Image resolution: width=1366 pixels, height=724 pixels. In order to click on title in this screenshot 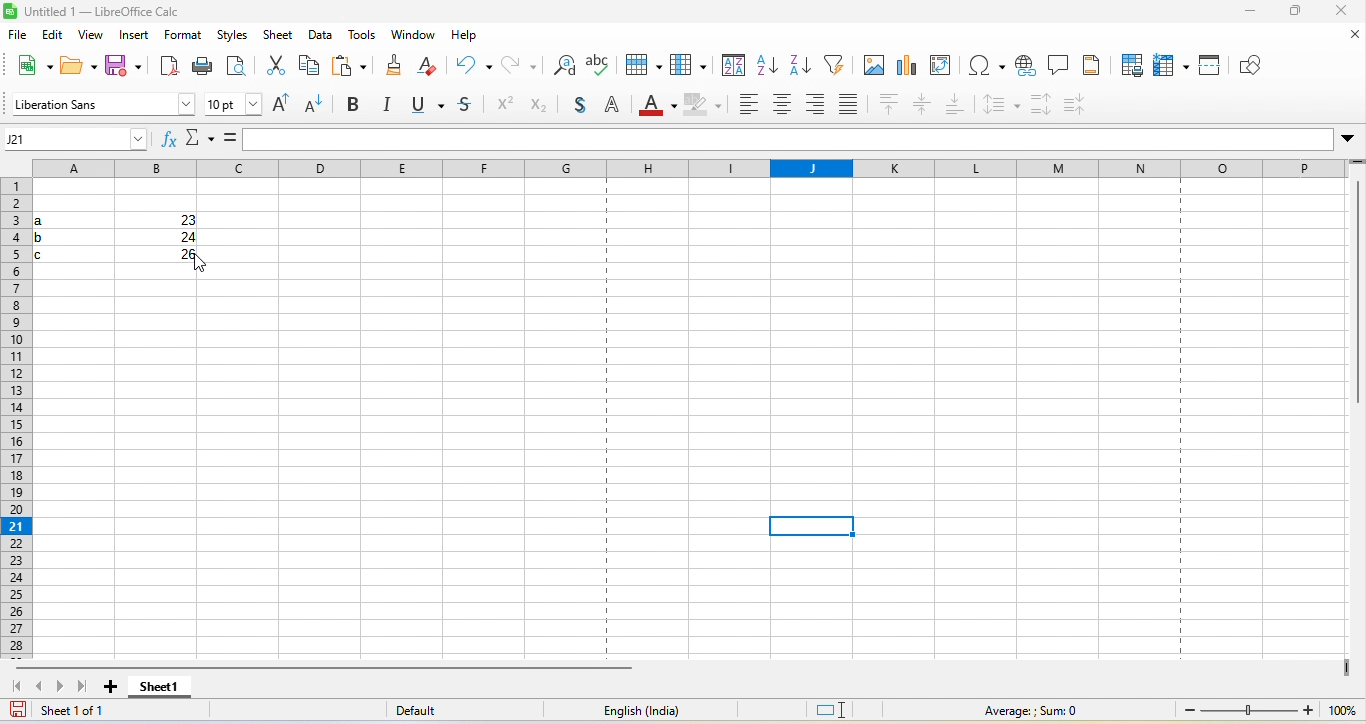, I will do `click(96, 12)`.